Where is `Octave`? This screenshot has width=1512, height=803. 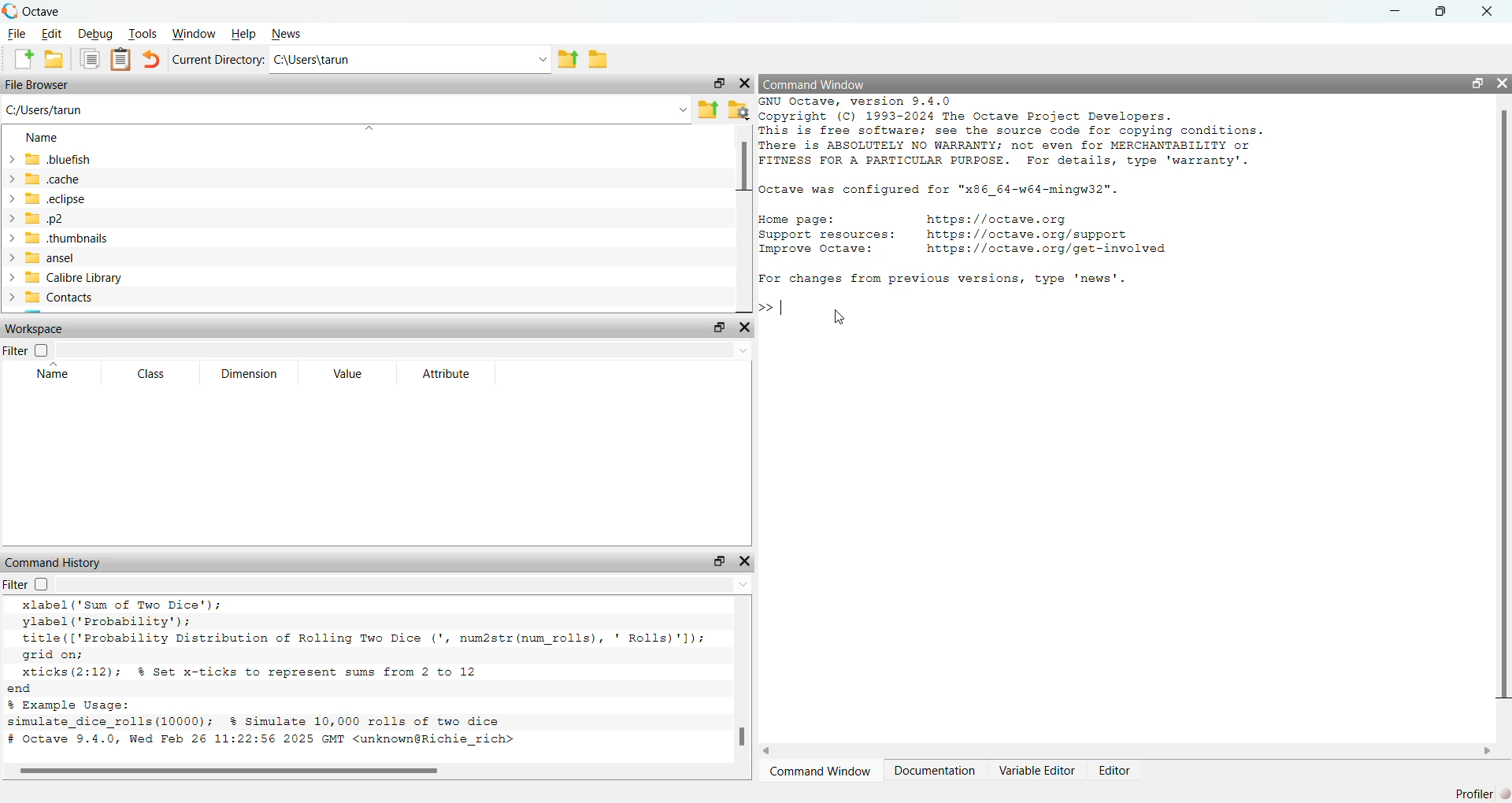
Octave is located at coordinates (33, 9).